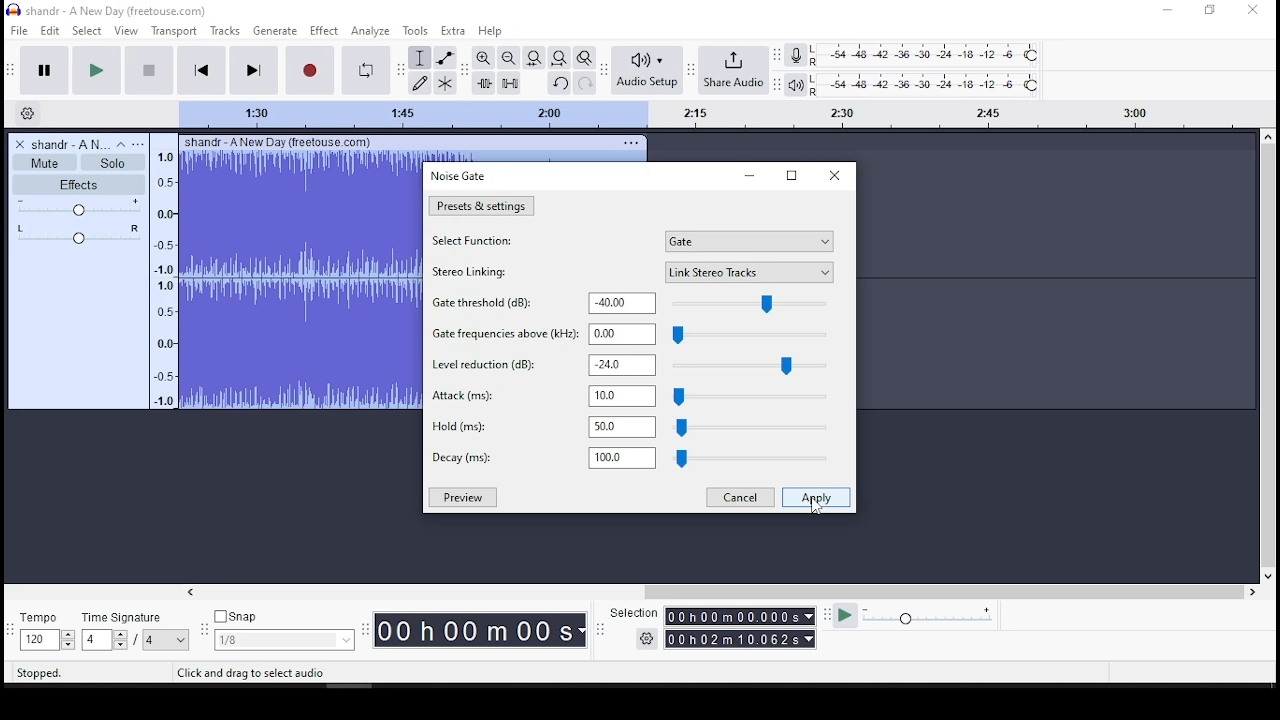  What do you see at coordinates (484, 83) in the screenshot?
I see `trim audio outside selection` at bounding box center [484, 83].